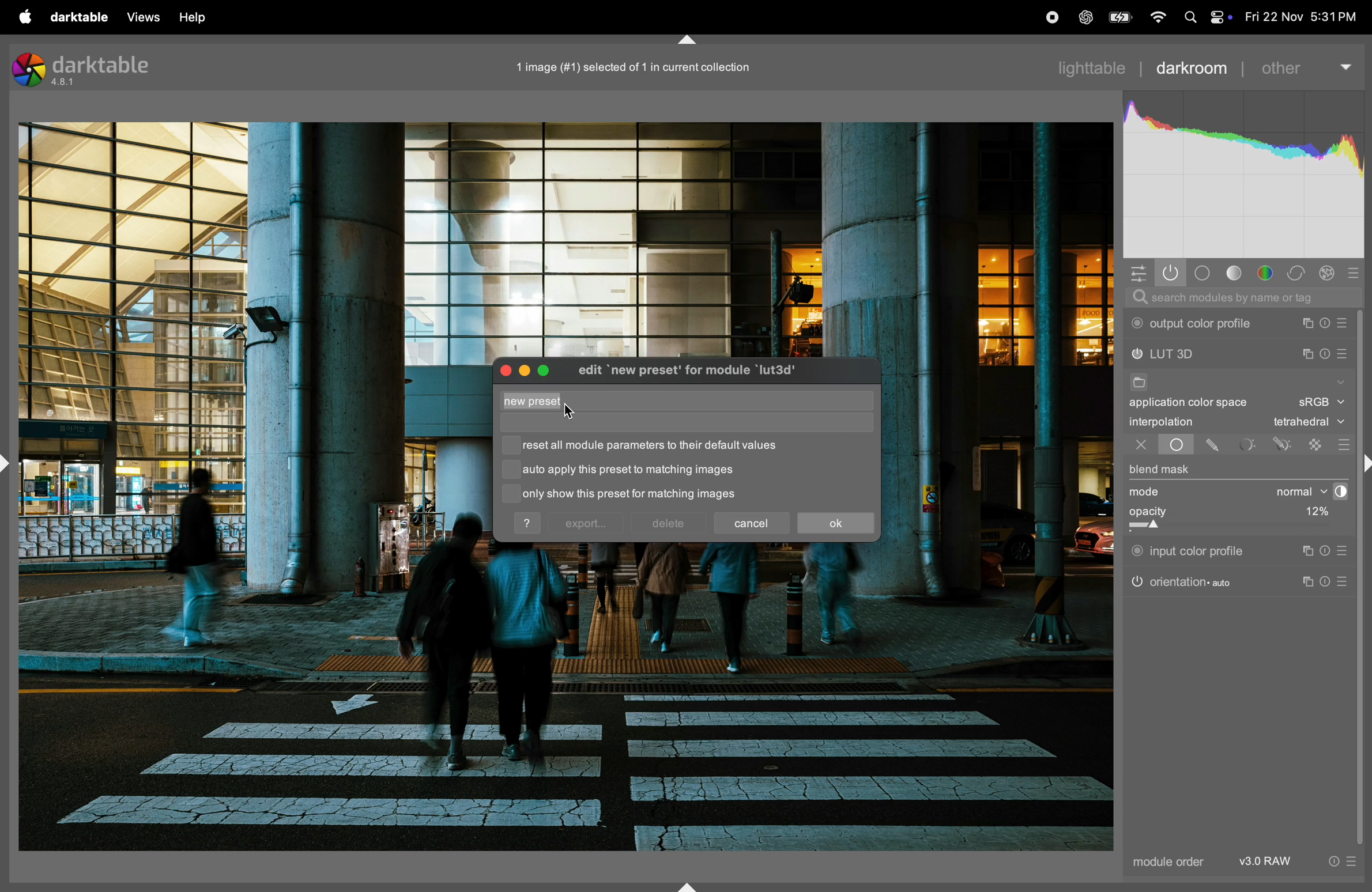 Image resolution: width=1372 pixels, height=892 pixels. Describe the element at coordinates (586, 524) in the screenshot. I see `export` at that location.